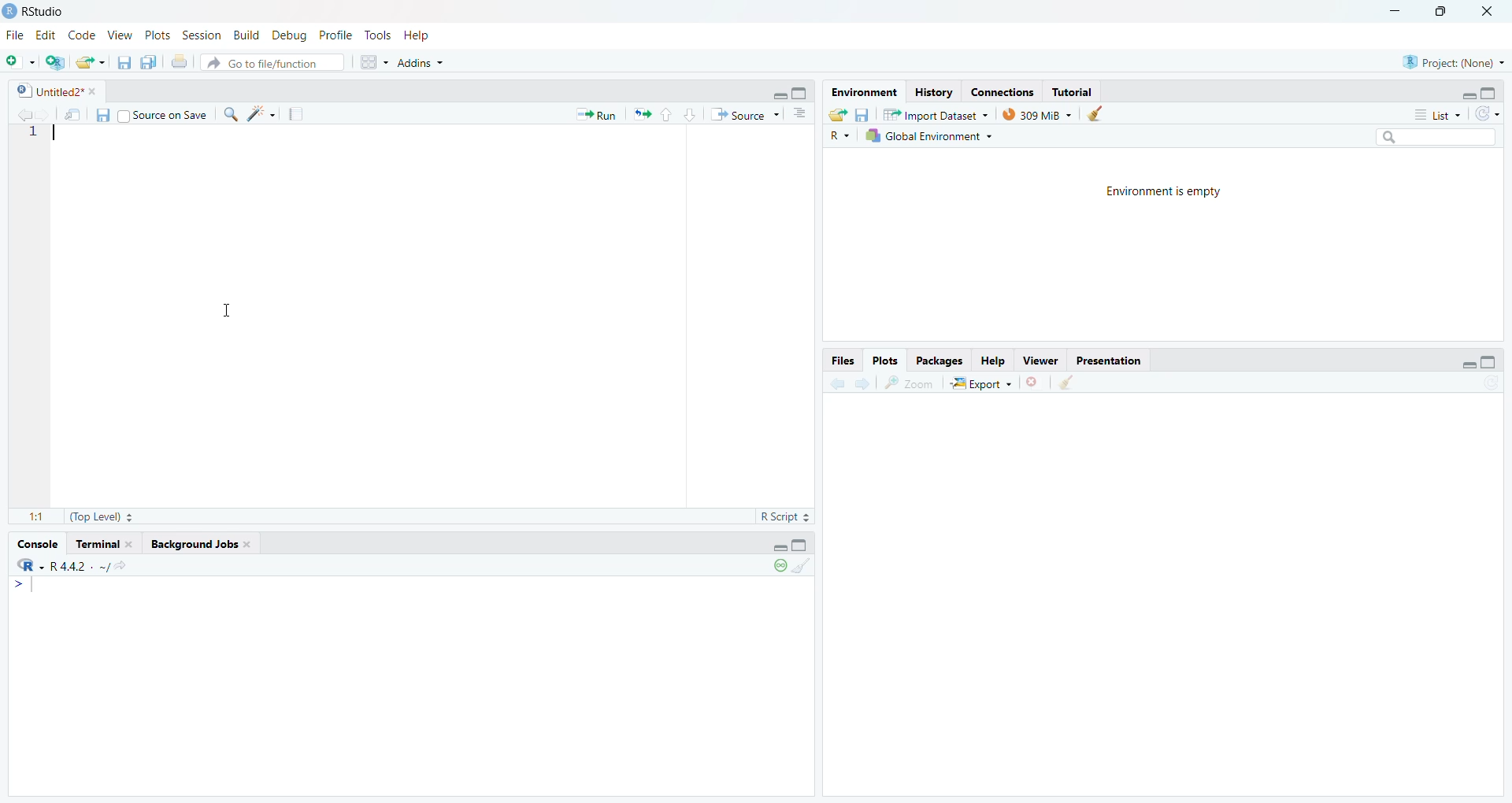 The height and width of the screenshot is (803, 1512). What do you see at coordinates (866, 92) in the screenshot?
I see `Environment` at bounding box center [866, 92].